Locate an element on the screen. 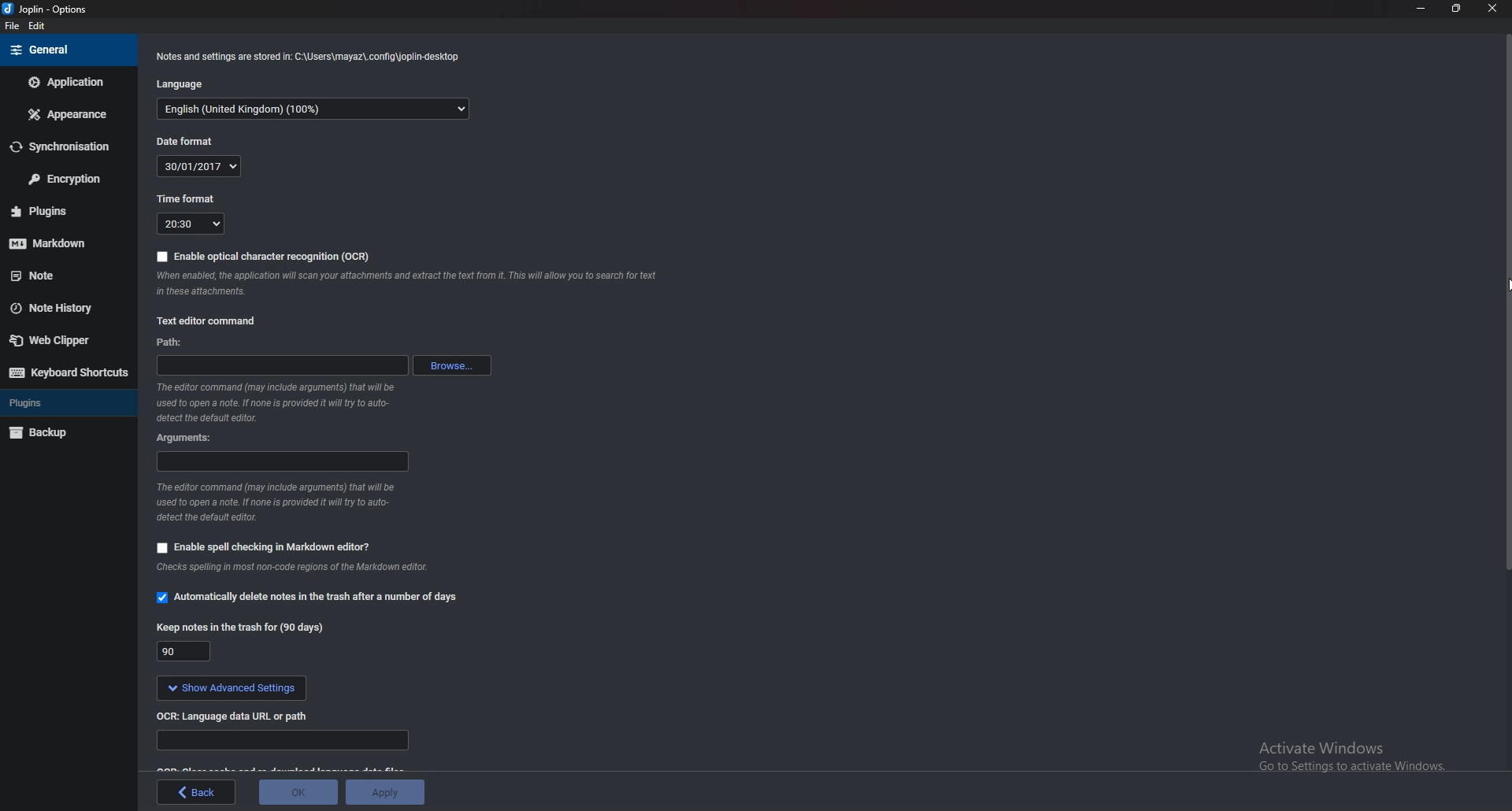 The width and height of the screenshot is (1512, 811). automatically delete notes is located at coordinates (316, 597).